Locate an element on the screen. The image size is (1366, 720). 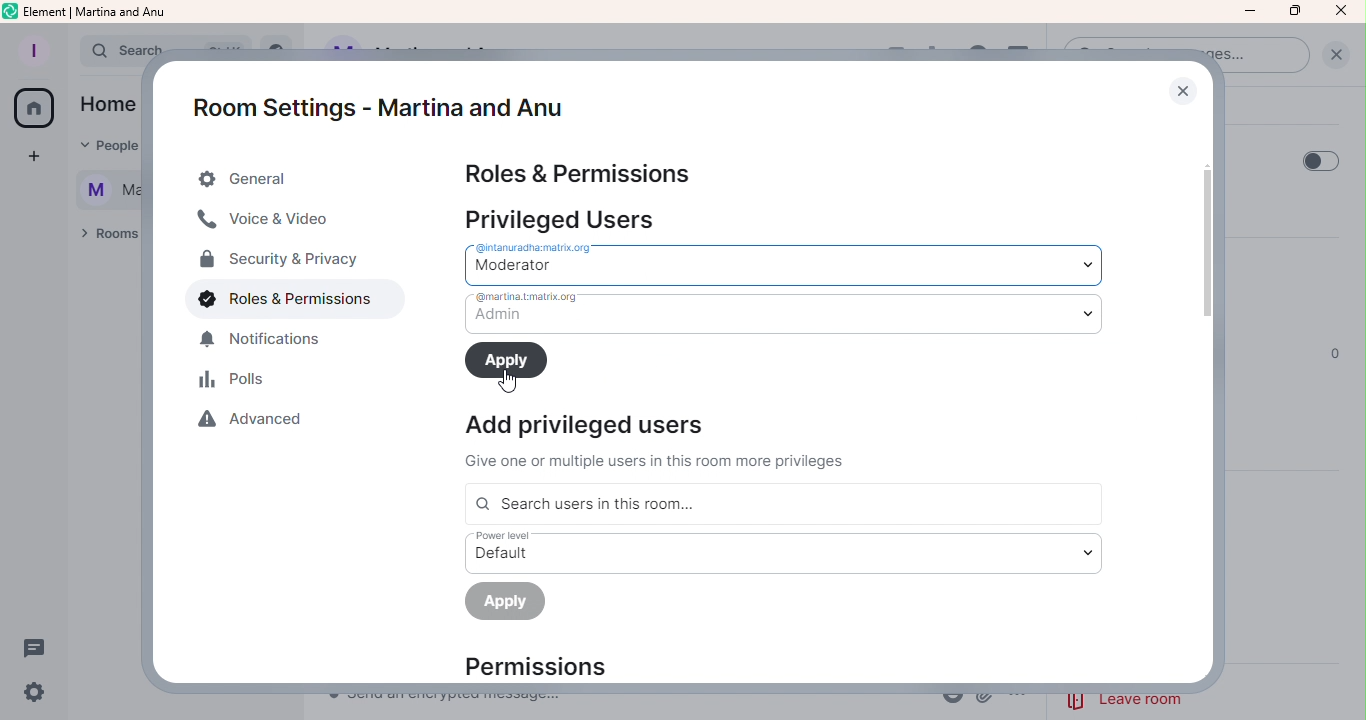
Settings is located at coordinates (37, 692).